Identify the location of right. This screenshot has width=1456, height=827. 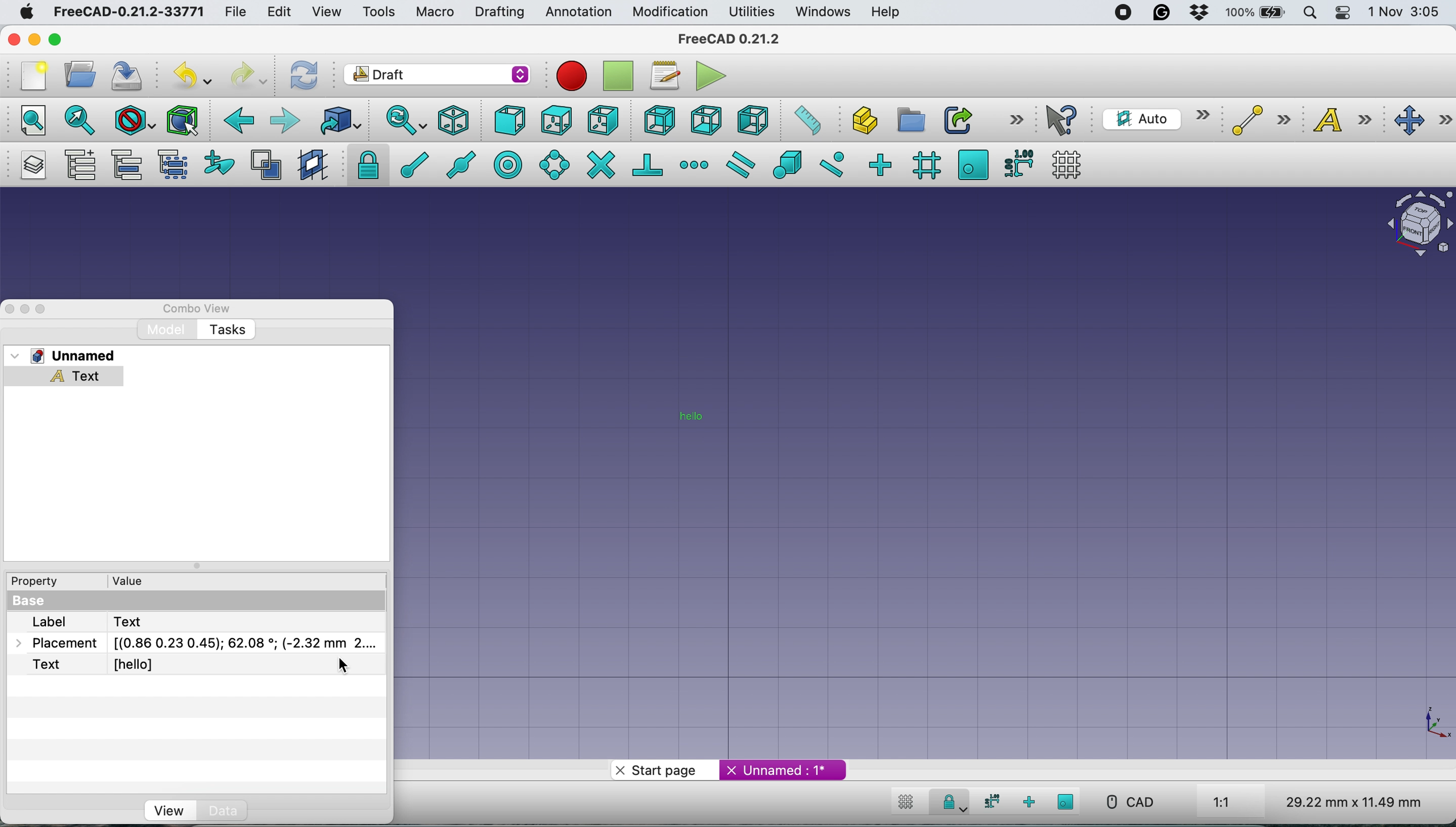
(602, 120).